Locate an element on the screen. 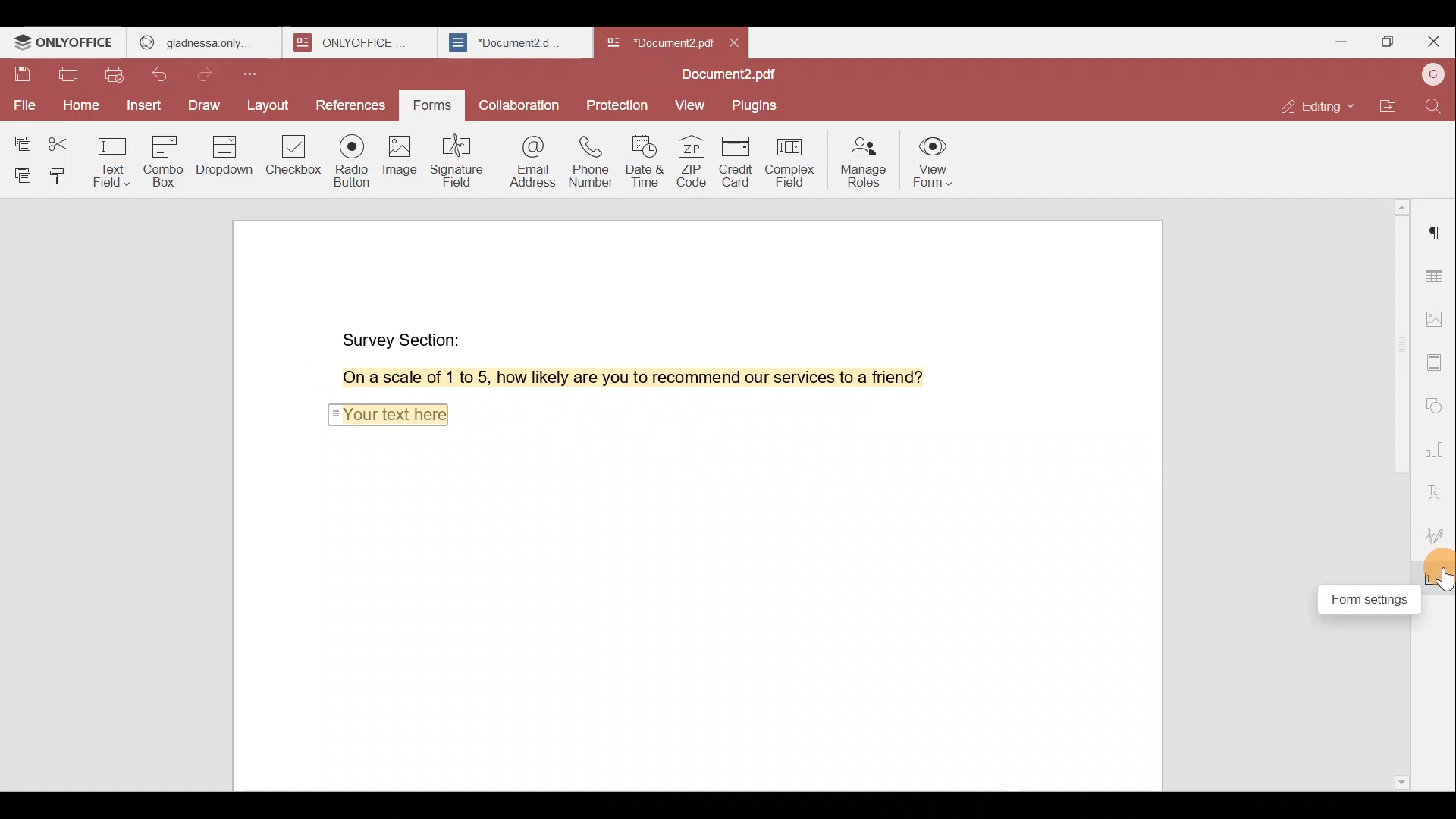 The width and height of the screenshot is (1456, 819). Undo is located at coordinates (168, 77).